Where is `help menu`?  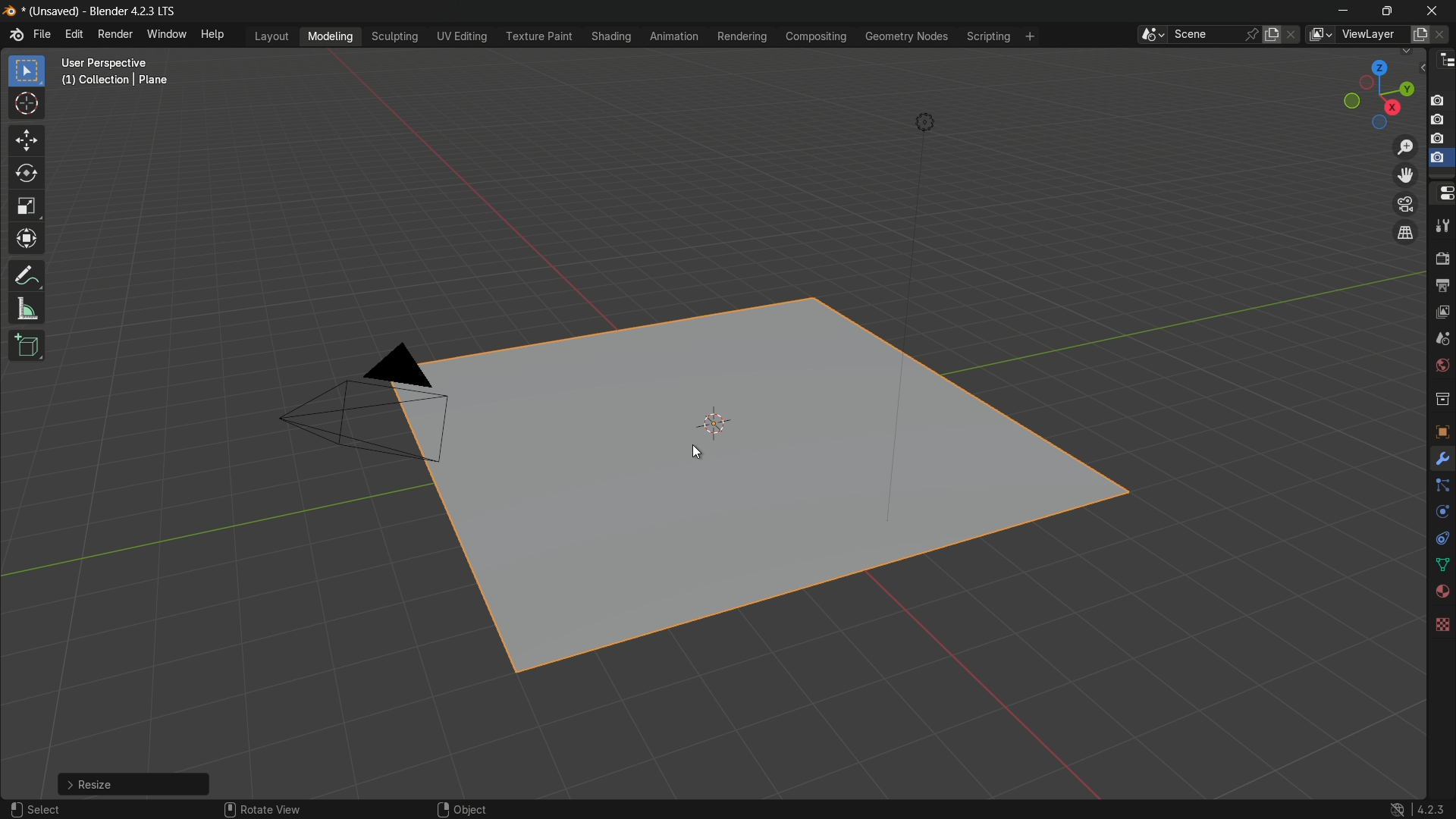
help menu is located at coordinates (214, 34).